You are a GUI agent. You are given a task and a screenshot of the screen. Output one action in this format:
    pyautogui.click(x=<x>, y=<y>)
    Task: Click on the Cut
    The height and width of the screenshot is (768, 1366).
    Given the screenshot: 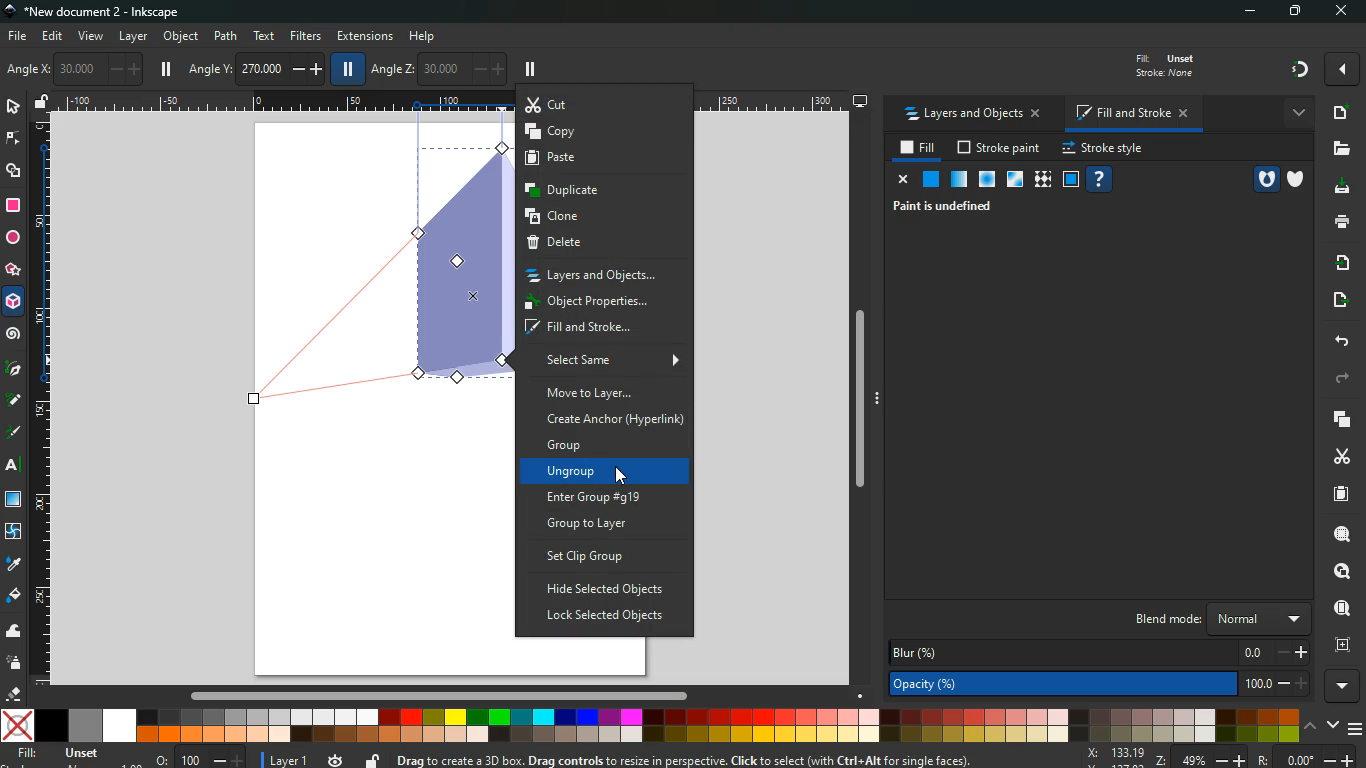 What is the action you would take?
    pyautogui.click(x=605, y=103)
    